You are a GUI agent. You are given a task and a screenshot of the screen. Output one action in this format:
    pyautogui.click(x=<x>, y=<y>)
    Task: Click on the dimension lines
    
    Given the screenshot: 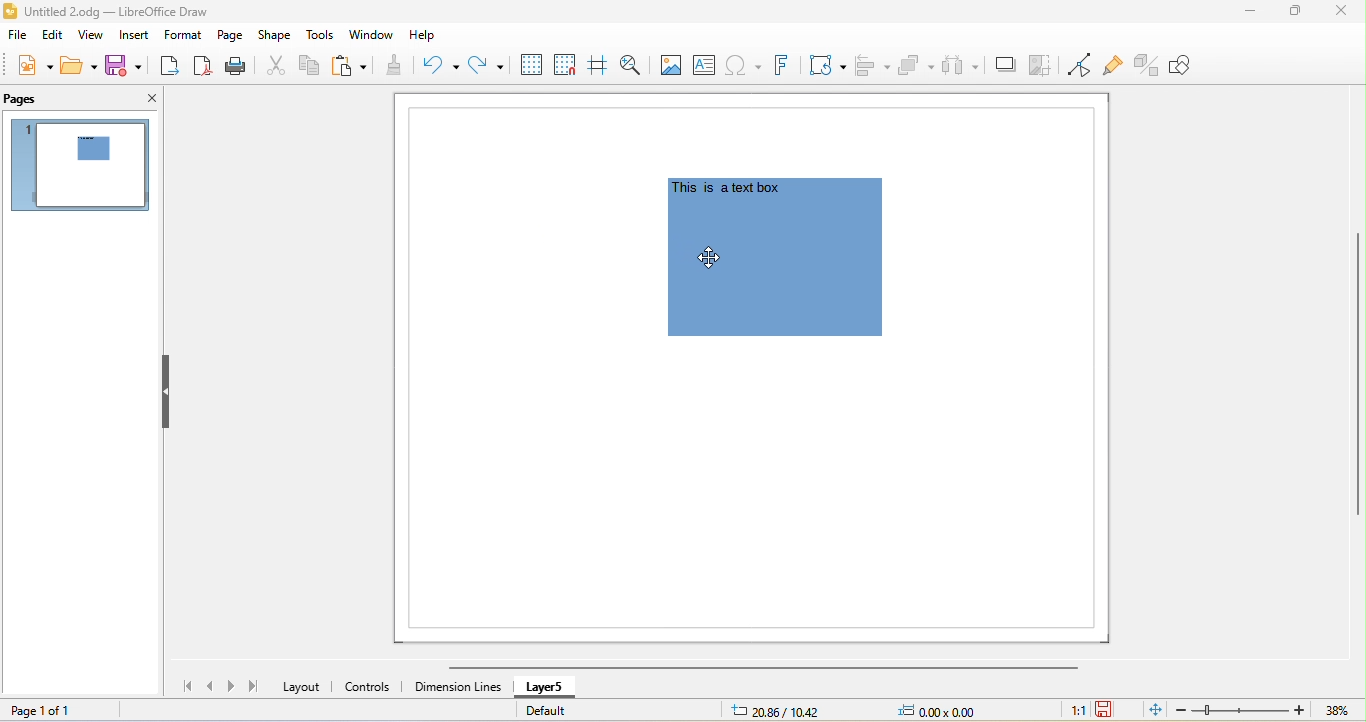 What is the action you would take?
    pyautogui.click(x=458, y=687)
    